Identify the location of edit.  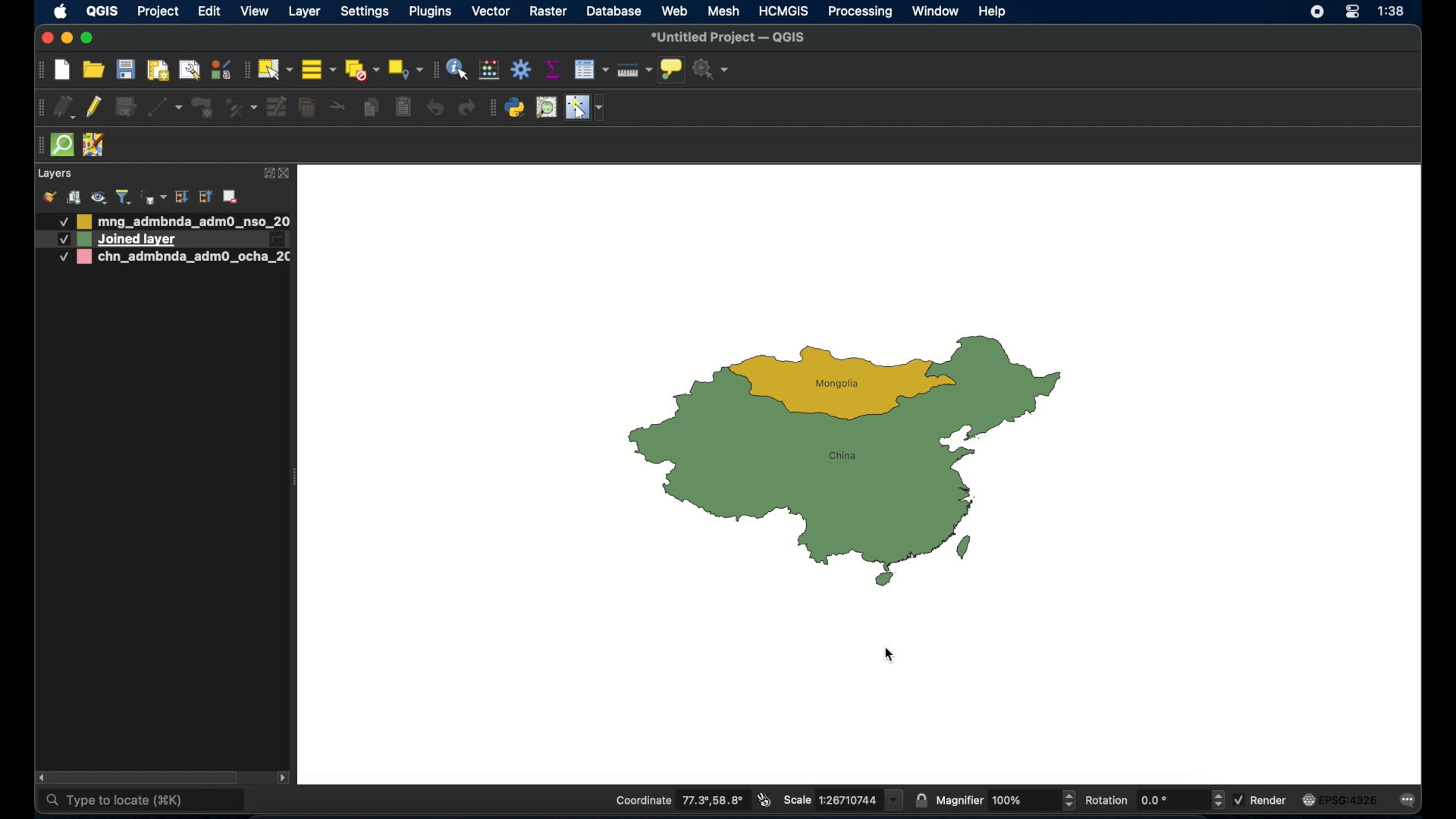
(209, 11).